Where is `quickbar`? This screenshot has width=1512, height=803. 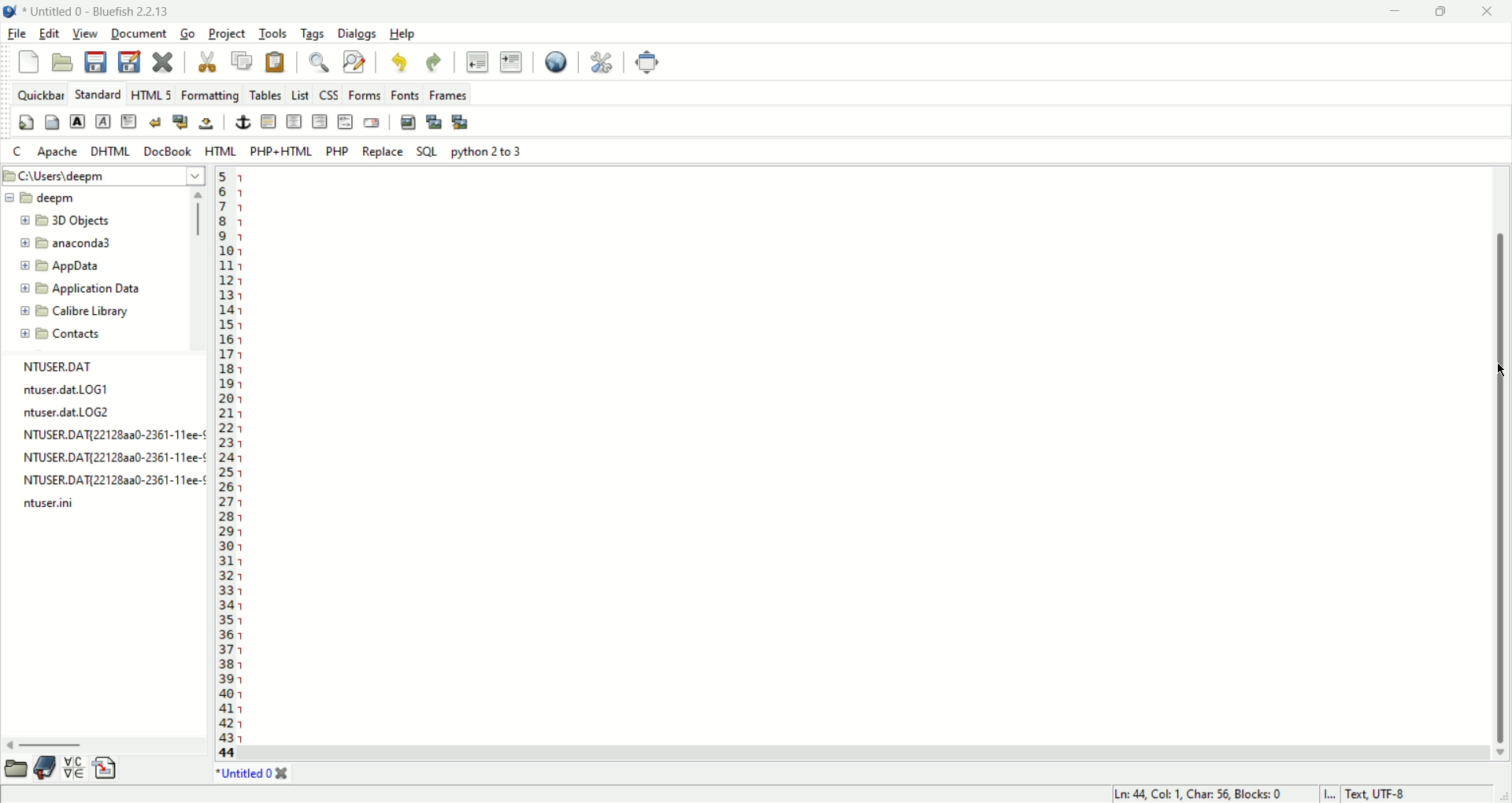 quickbar is located at coordinates (40, 94).